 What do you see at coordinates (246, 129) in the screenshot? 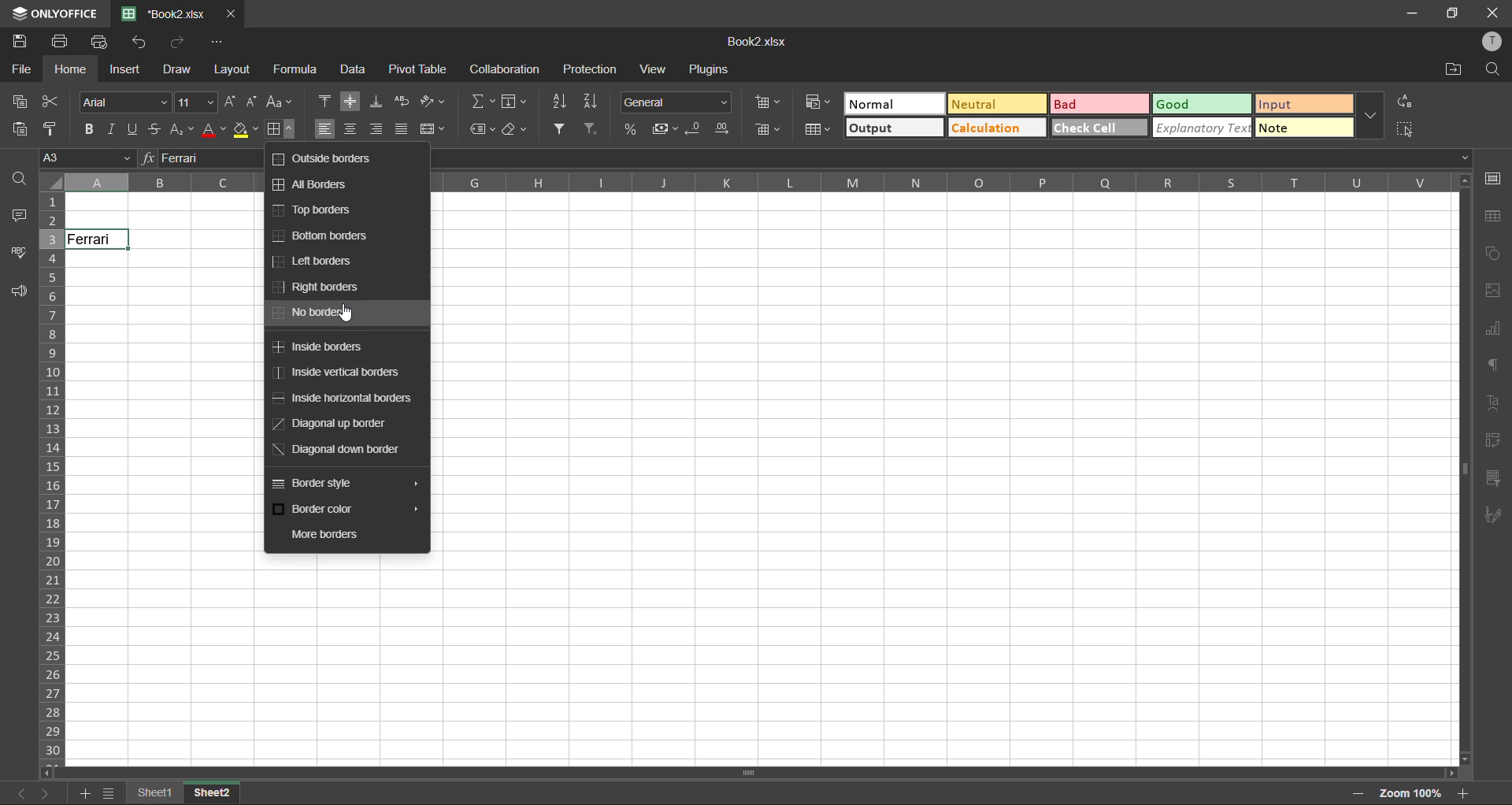
I see `fill color` at bounding box center [246, 129].